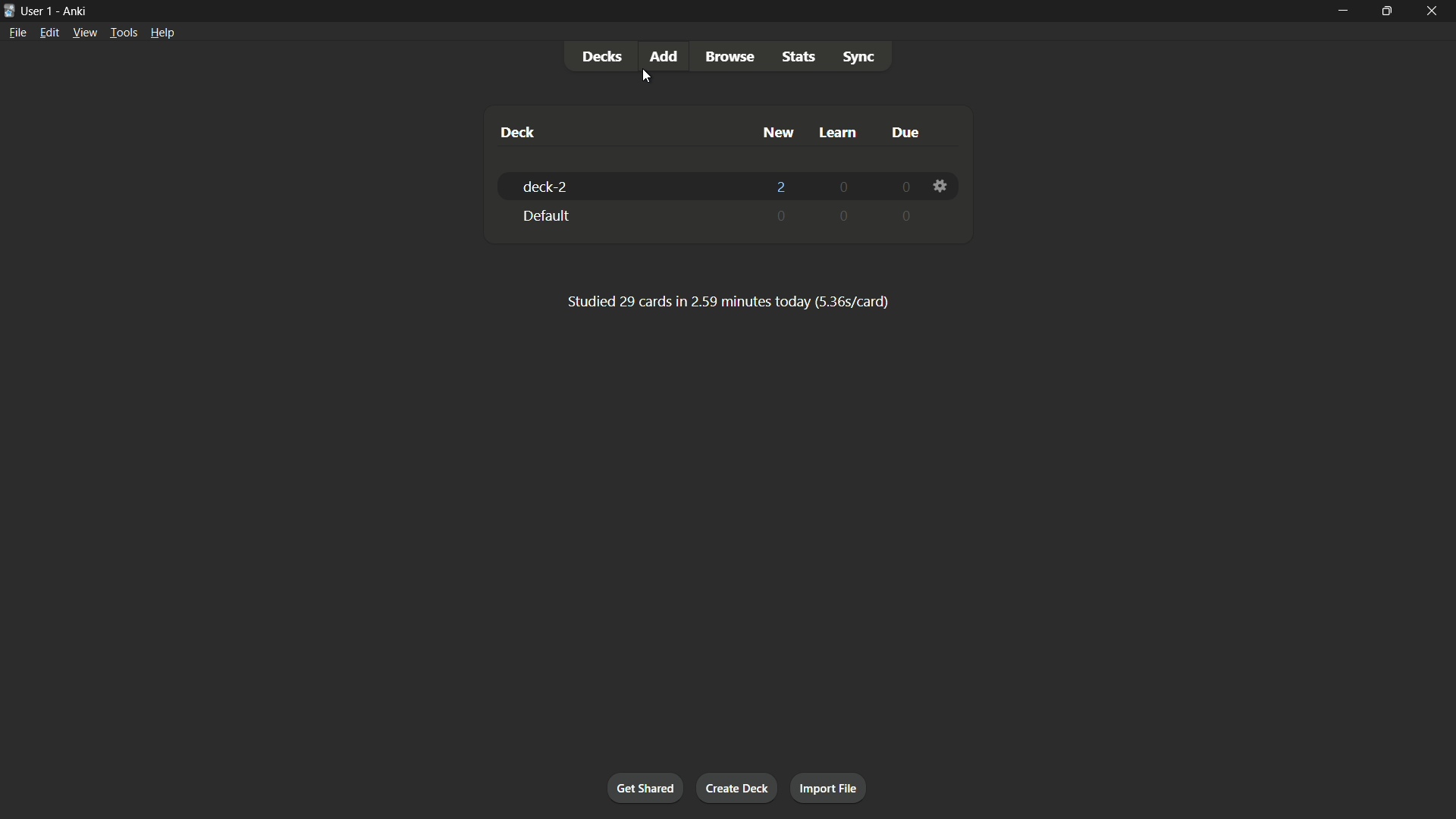 The width and height of the screenshot is (1456, 819). I want to click on 0, so click(903, 187).